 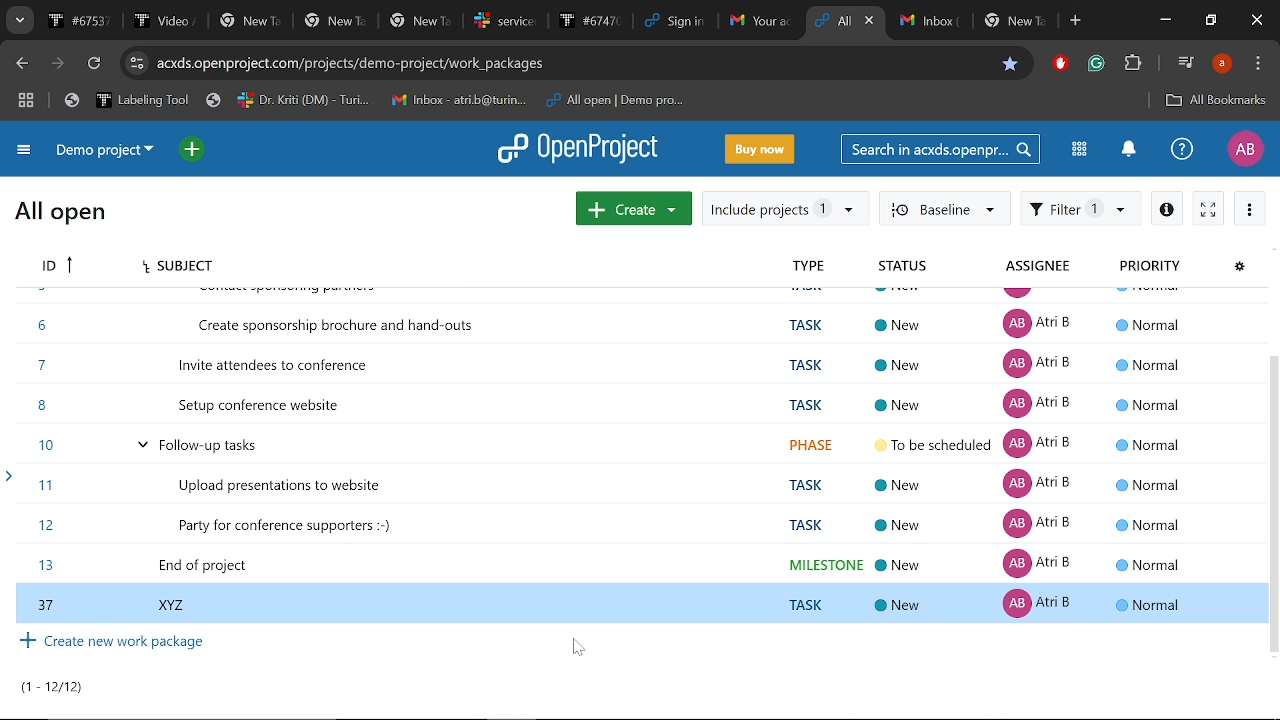 I want to click on Bookmark this tab, so click(x=1011, y=64).